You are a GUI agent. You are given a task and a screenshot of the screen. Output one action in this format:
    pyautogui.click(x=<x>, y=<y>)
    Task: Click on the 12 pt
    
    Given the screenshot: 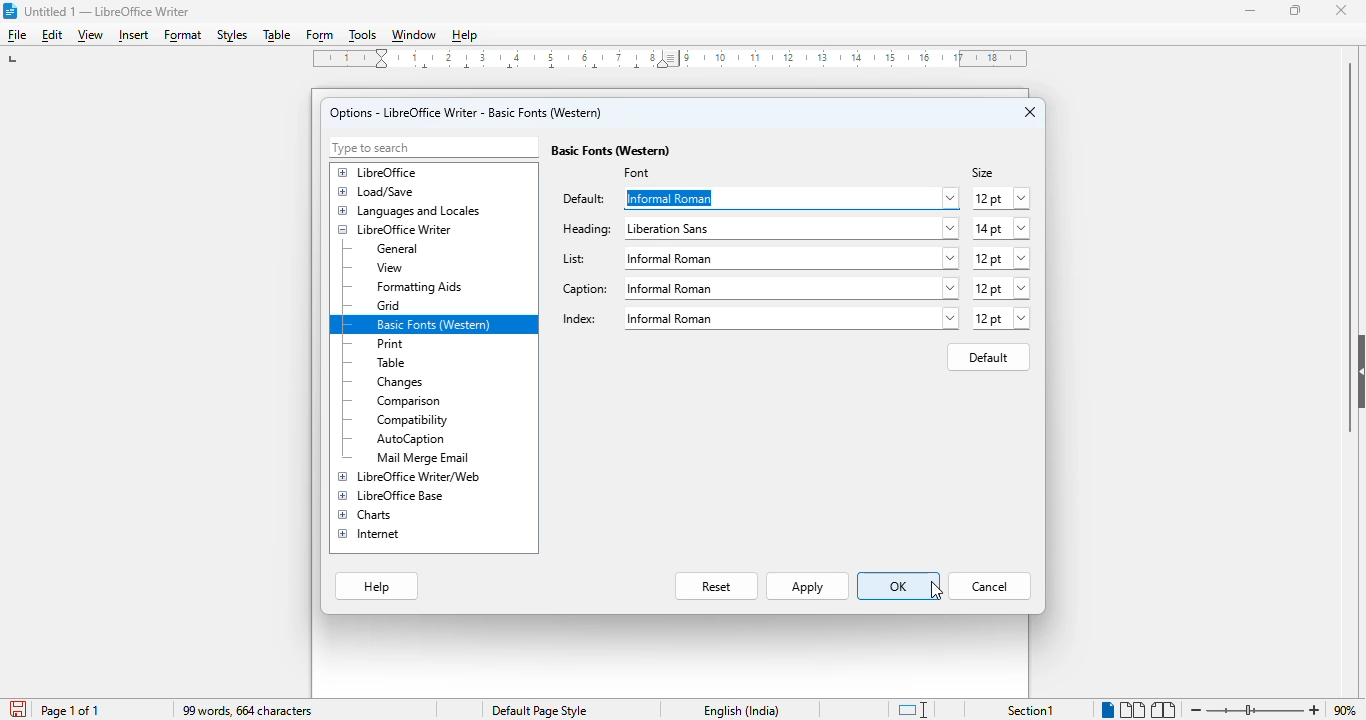 What is the action you would take?
    pyautogui.click(x=1001, y=318)
    